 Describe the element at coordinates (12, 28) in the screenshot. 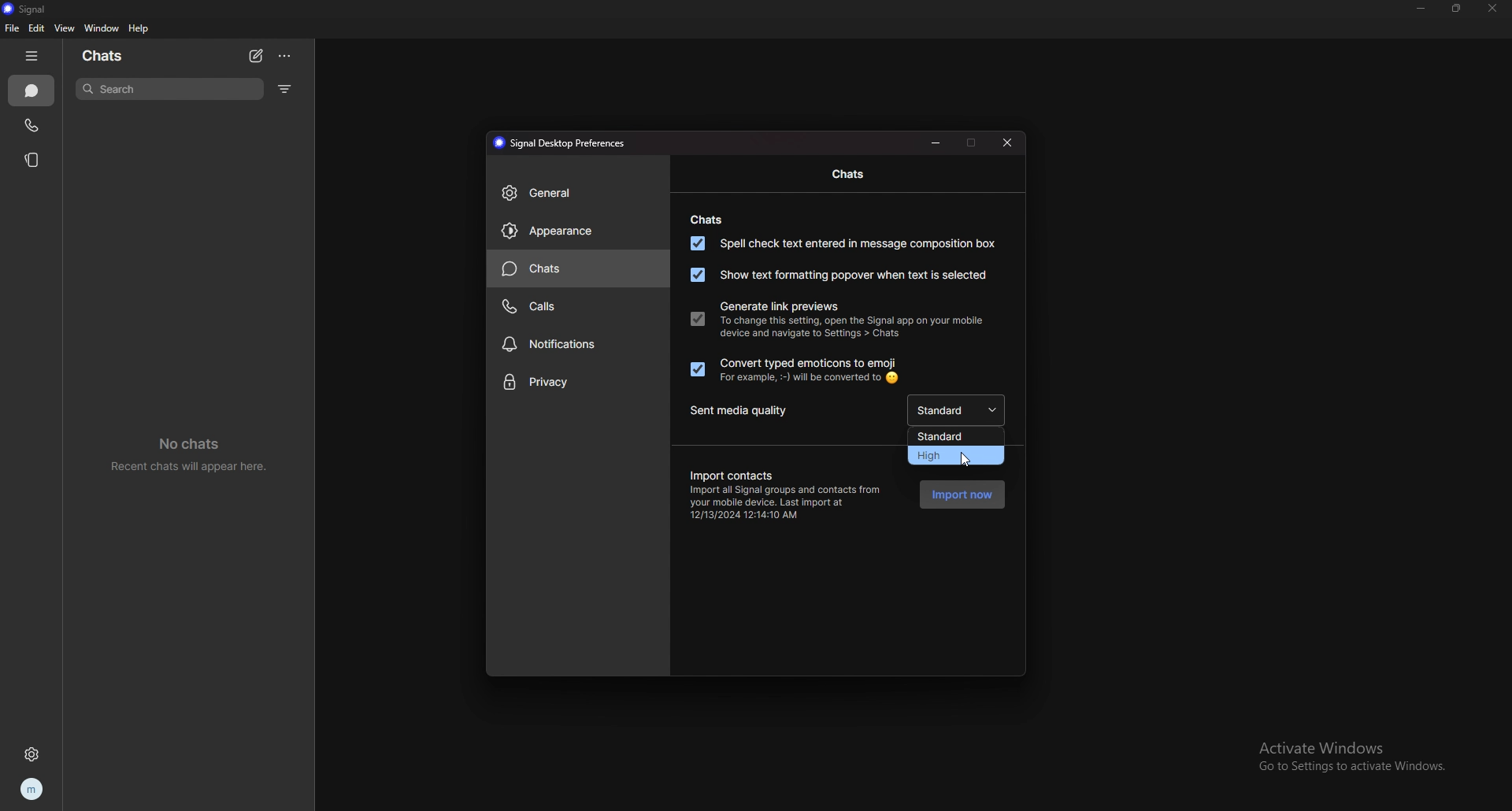

I see `file` at that location.